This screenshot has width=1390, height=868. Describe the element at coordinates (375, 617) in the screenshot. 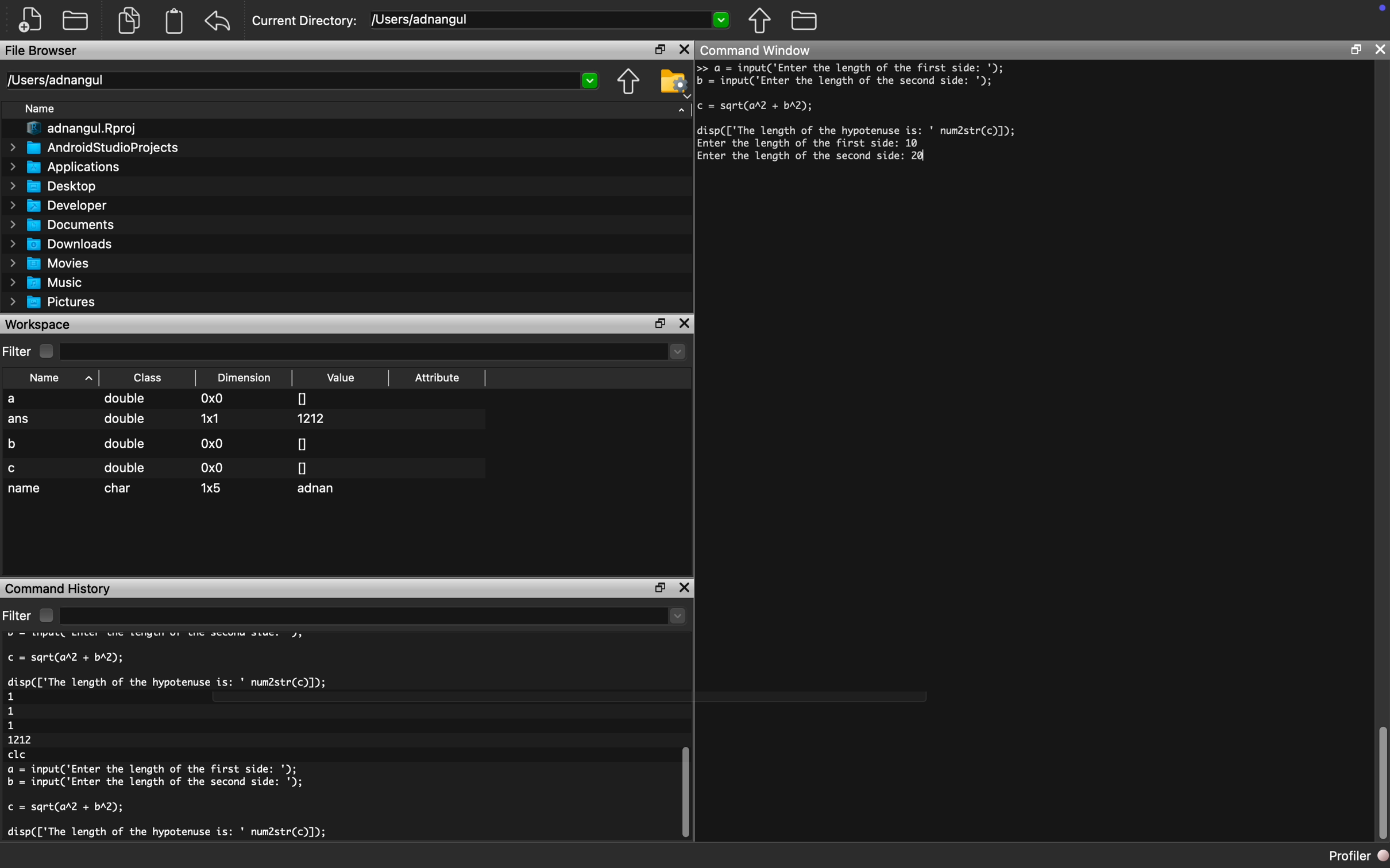

I see `dropdown` at that location.